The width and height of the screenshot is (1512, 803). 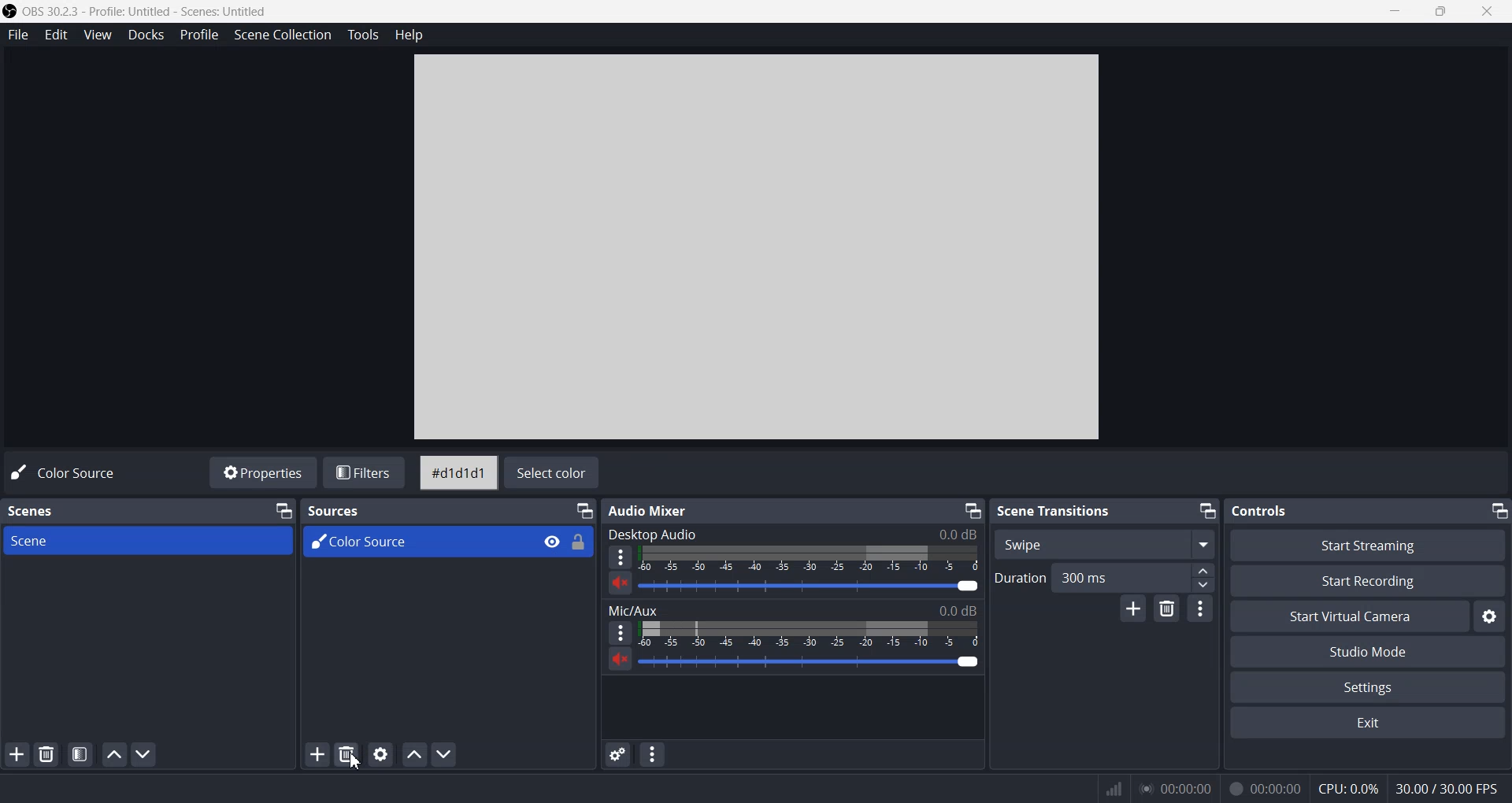 What do you see at coordinates (617, 755) in the screenshot?
I see `Advance audio properties` at bounding box center [617, 755].